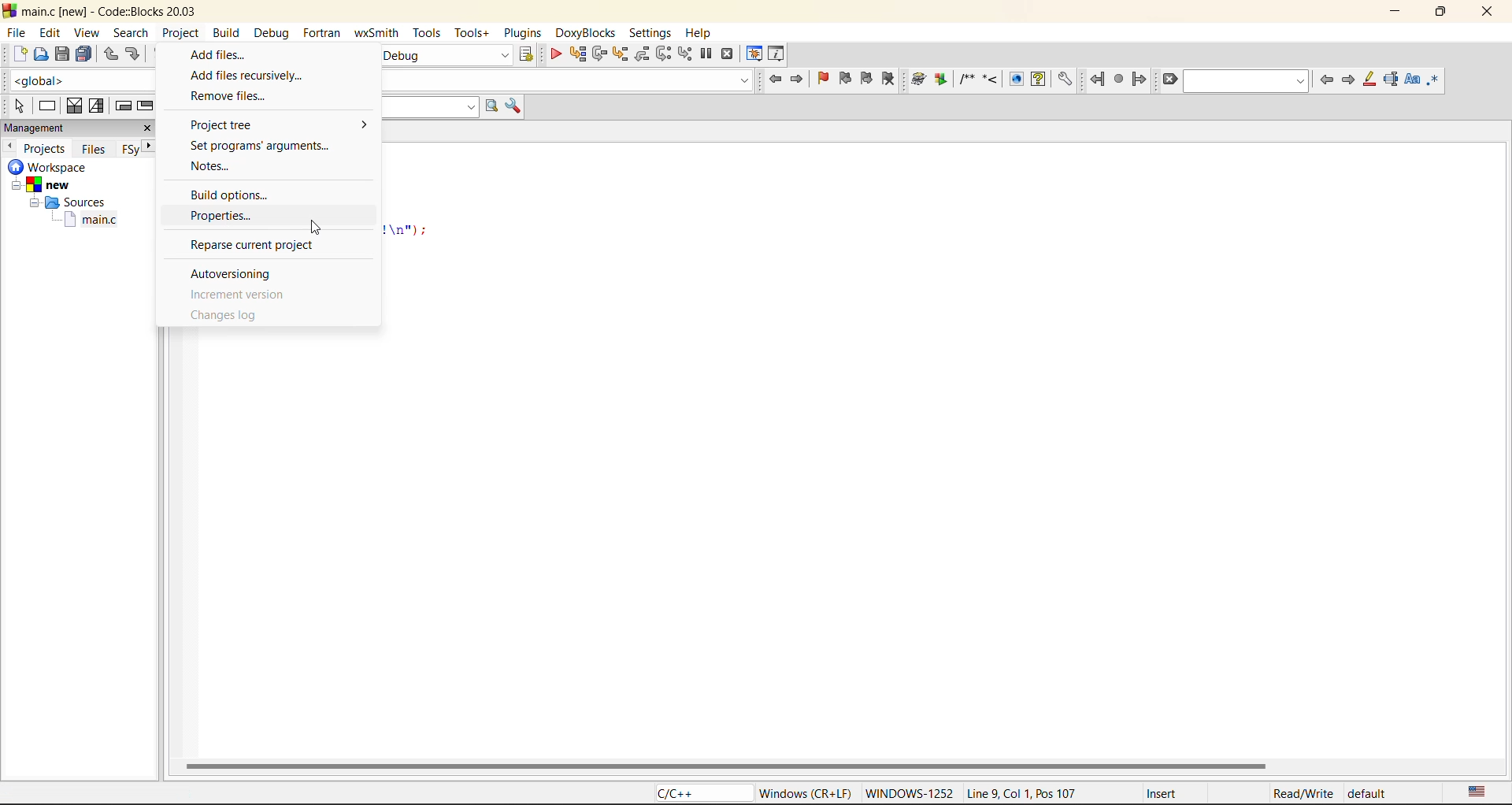 The width and height of the screenshot is (1512, 805). I want to click on C/C++, so click(698, 792).